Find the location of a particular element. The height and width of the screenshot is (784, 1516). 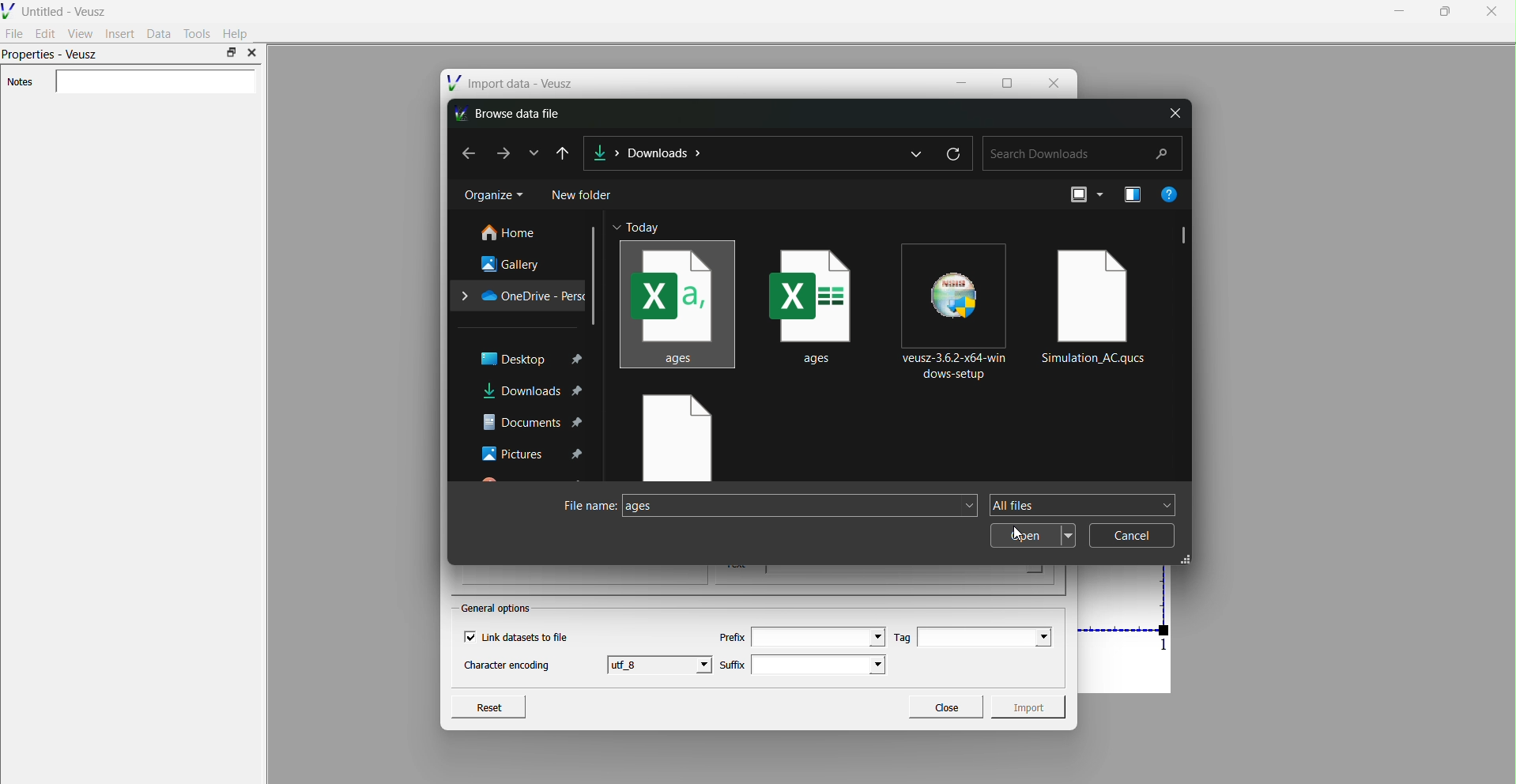

Tag field is located at coordinates (985, 637).